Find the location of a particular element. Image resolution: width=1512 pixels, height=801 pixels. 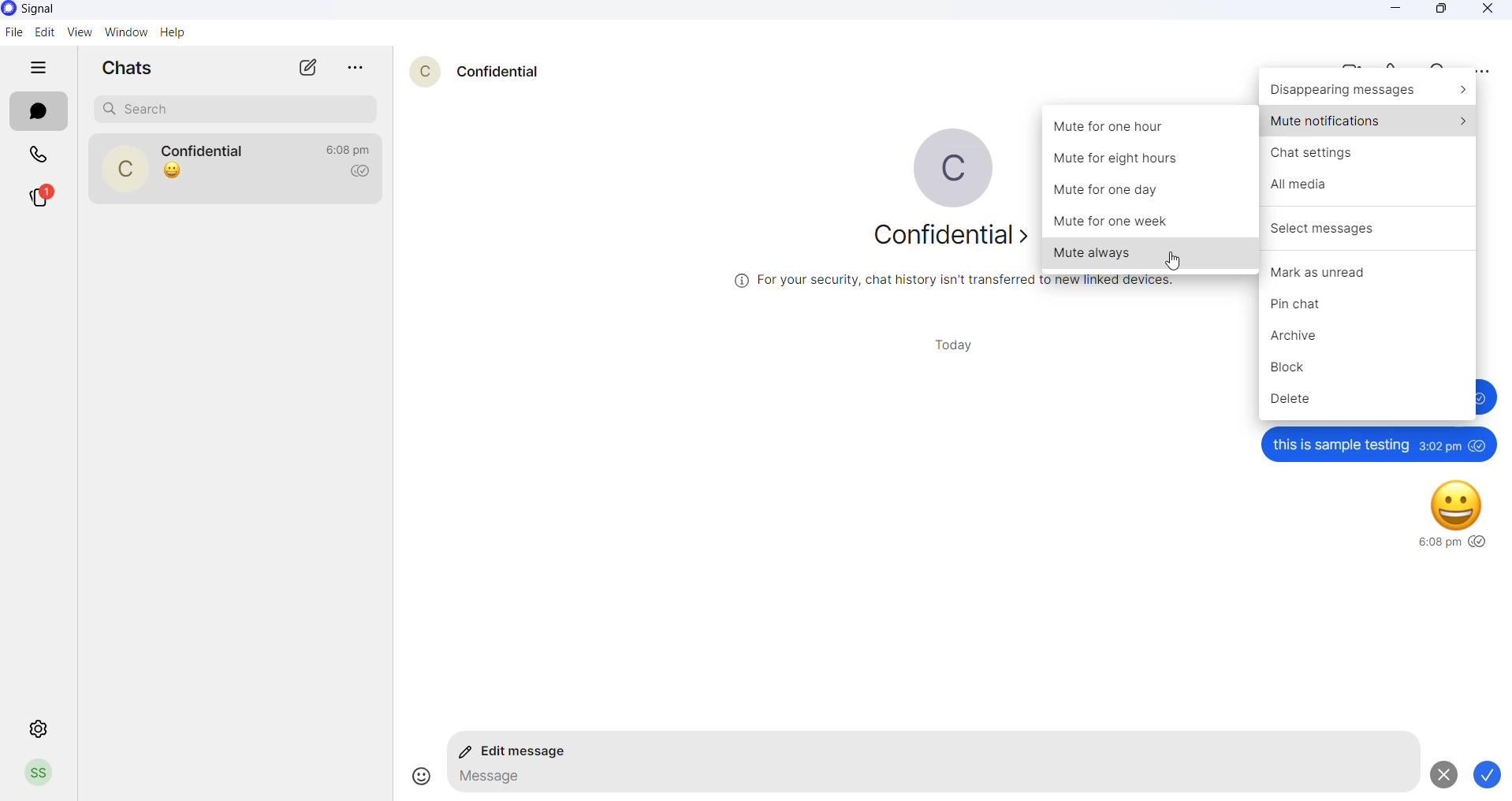

hide is located at coordinates (42, 68).